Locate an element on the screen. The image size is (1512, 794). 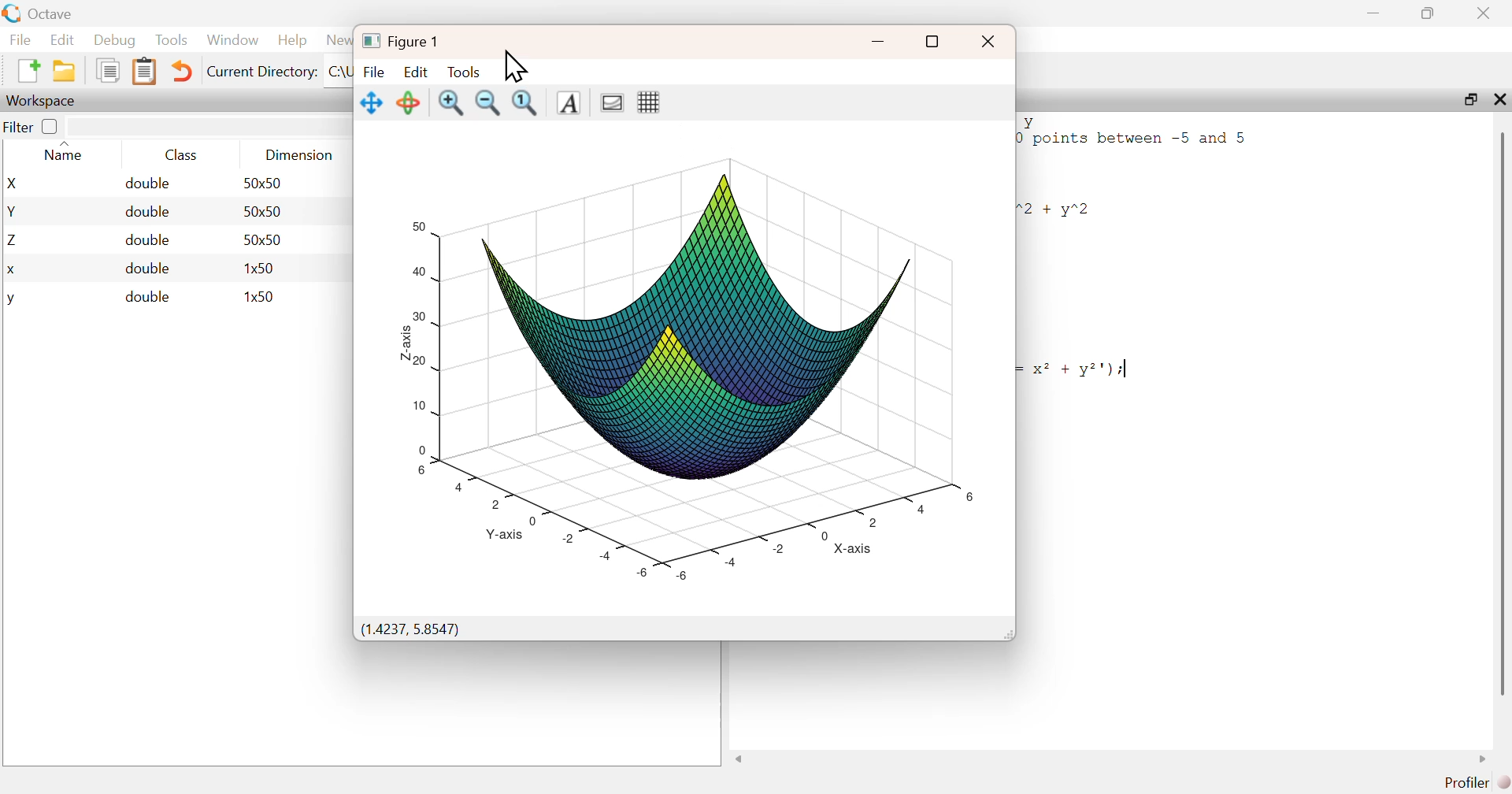
Dimension is located at coordinates (301, 155).